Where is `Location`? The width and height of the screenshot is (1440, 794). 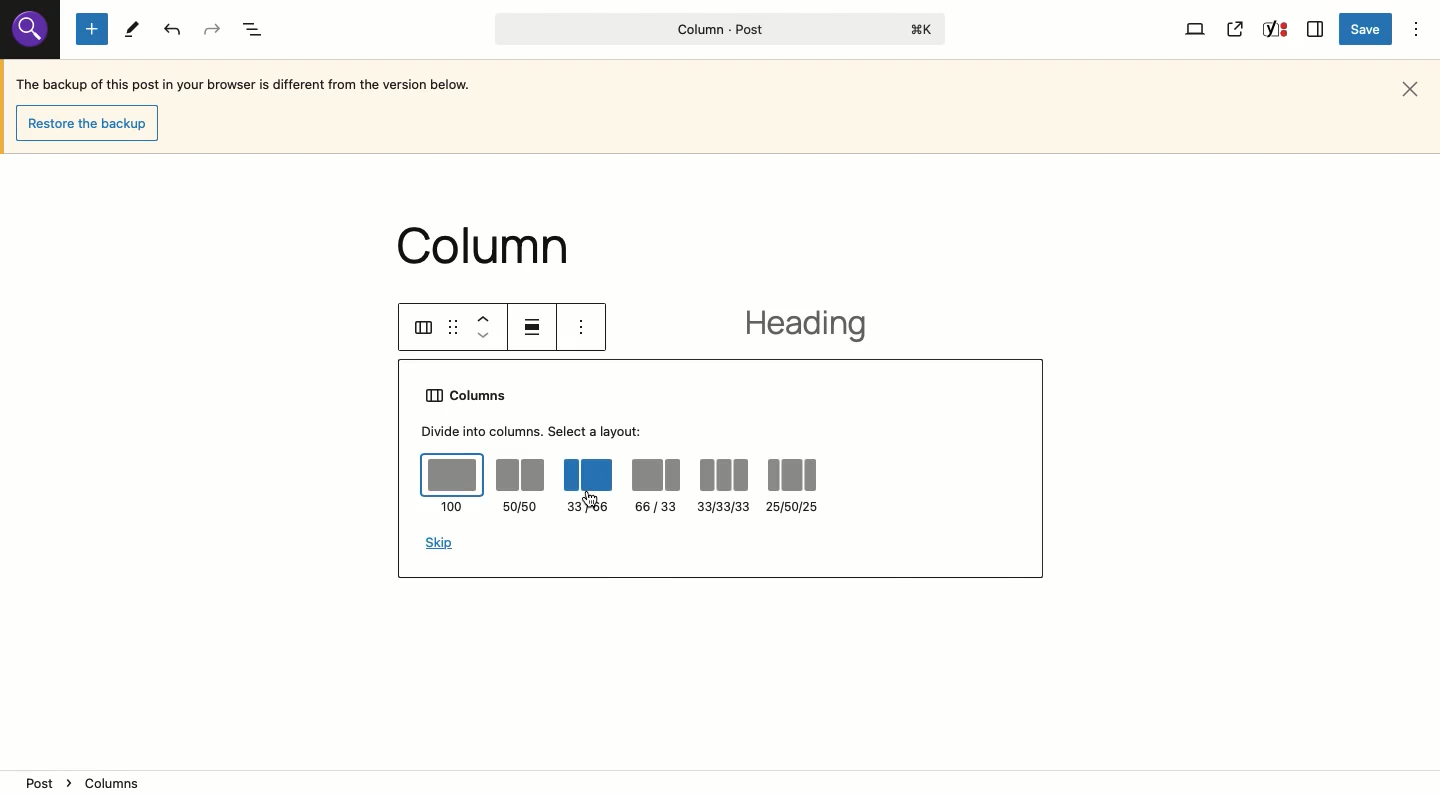
Location is located at coordinates (722, 782).